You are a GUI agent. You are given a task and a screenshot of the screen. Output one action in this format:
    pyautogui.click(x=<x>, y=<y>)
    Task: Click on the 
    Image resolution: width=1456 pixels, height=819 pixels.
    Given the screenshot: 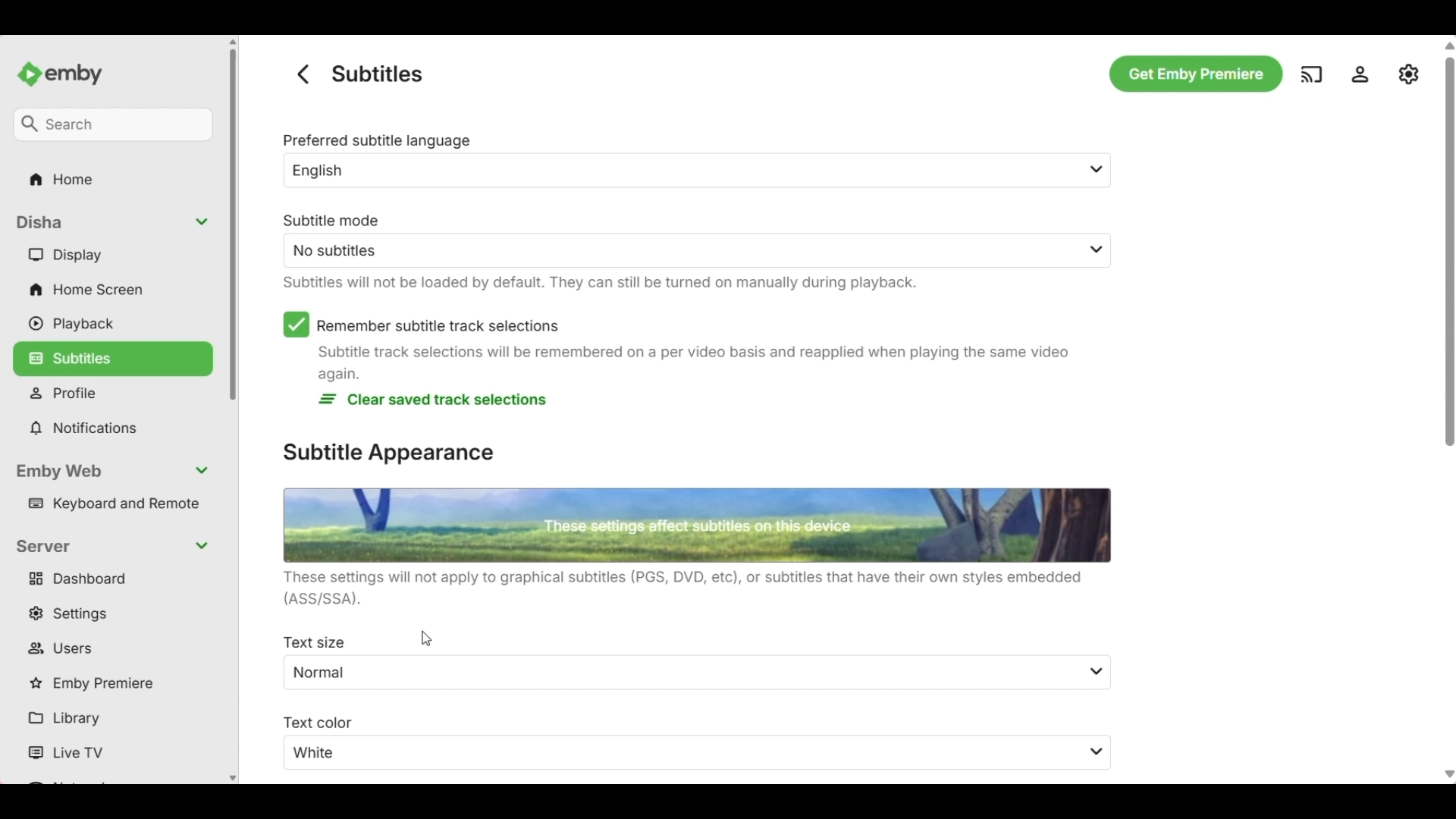 What is the action you would take?
    pyautogui.click(x=1191, y=72)
    